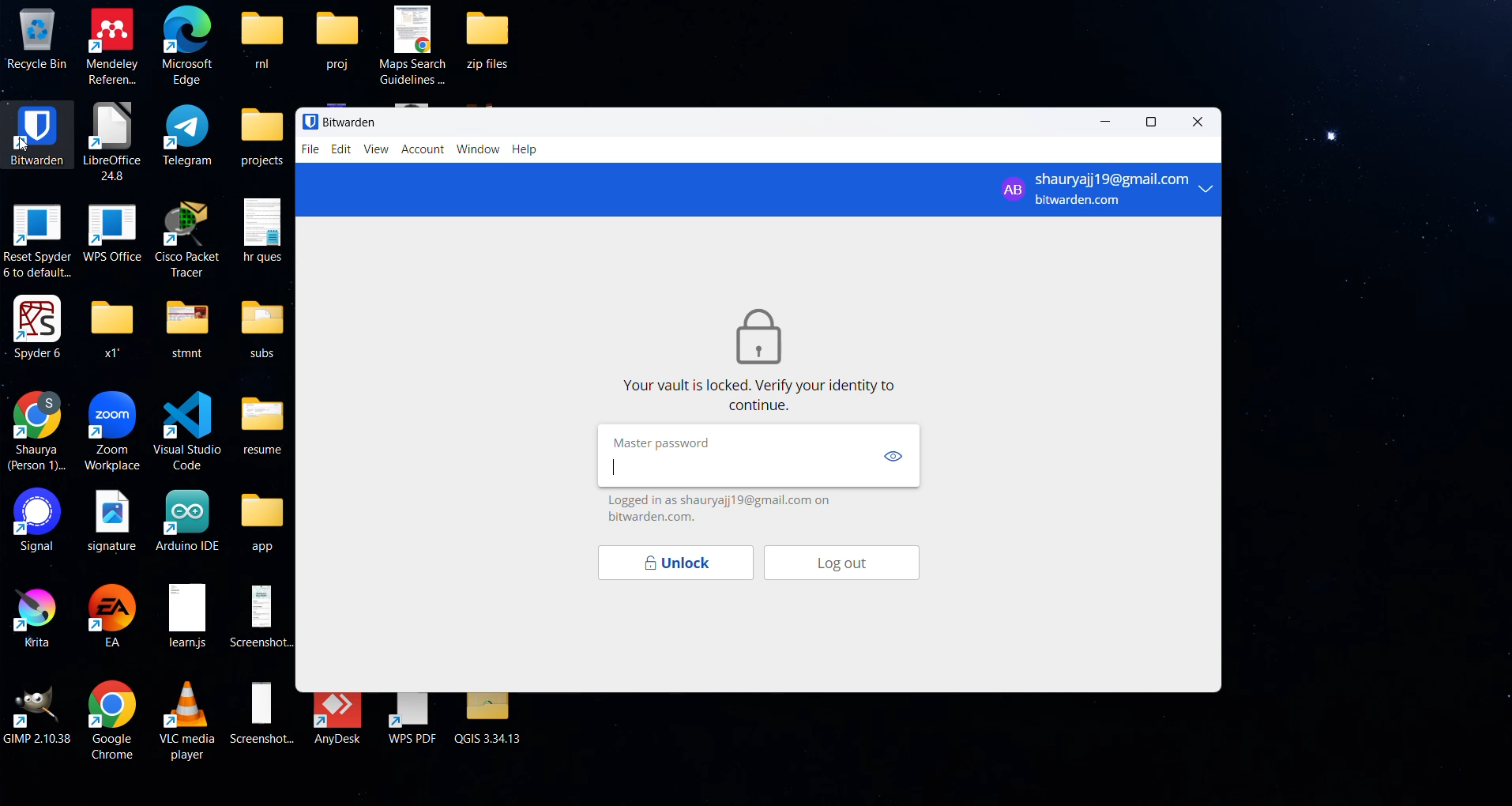  What do you see at coordinates (114, 431) in the screenshot?
I see `Zoom Workplace` at bounding box center [114, 431].